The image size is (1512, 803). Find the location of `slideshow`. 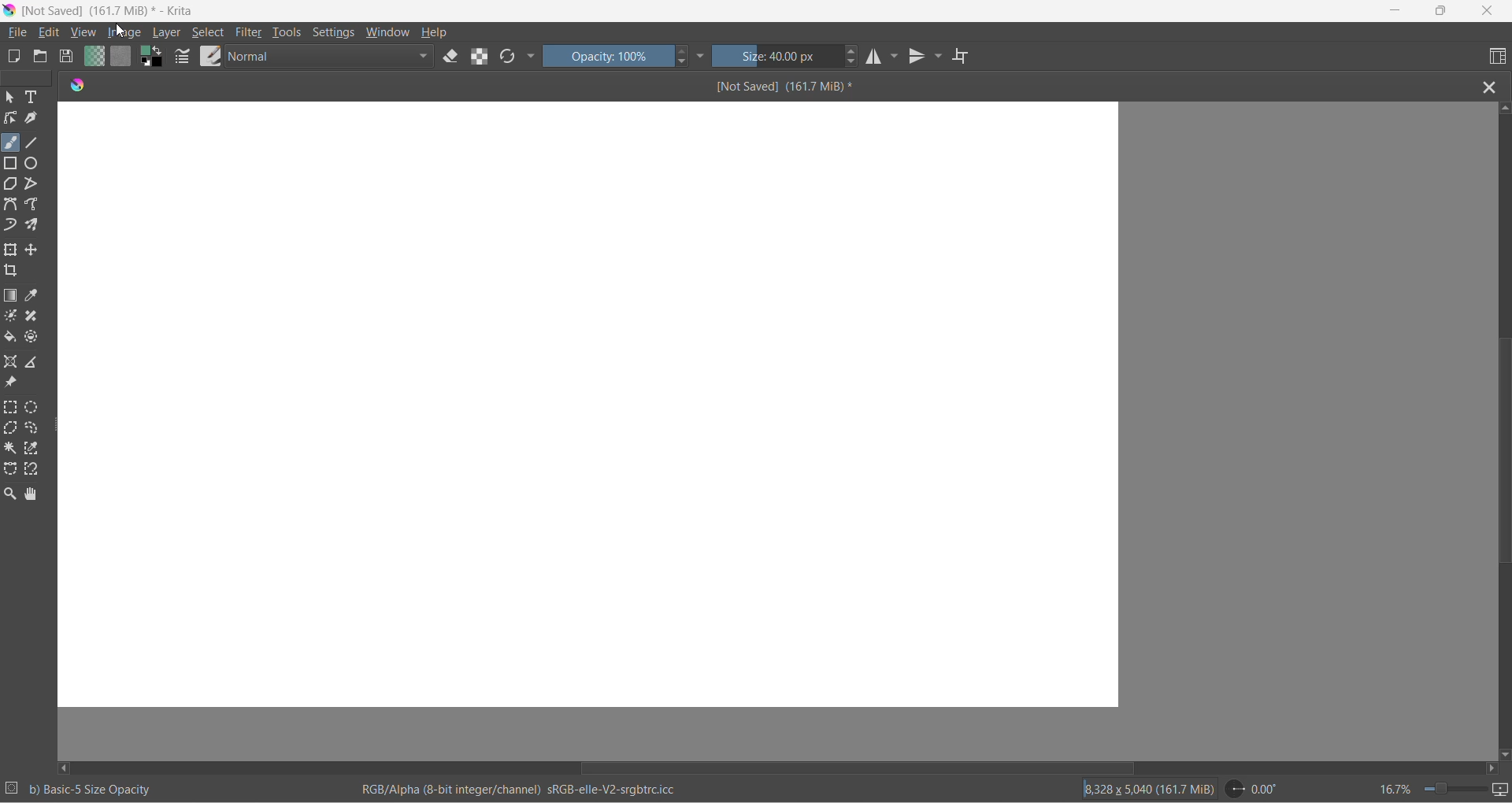

slideshow is located at coordinates (1502, 790).